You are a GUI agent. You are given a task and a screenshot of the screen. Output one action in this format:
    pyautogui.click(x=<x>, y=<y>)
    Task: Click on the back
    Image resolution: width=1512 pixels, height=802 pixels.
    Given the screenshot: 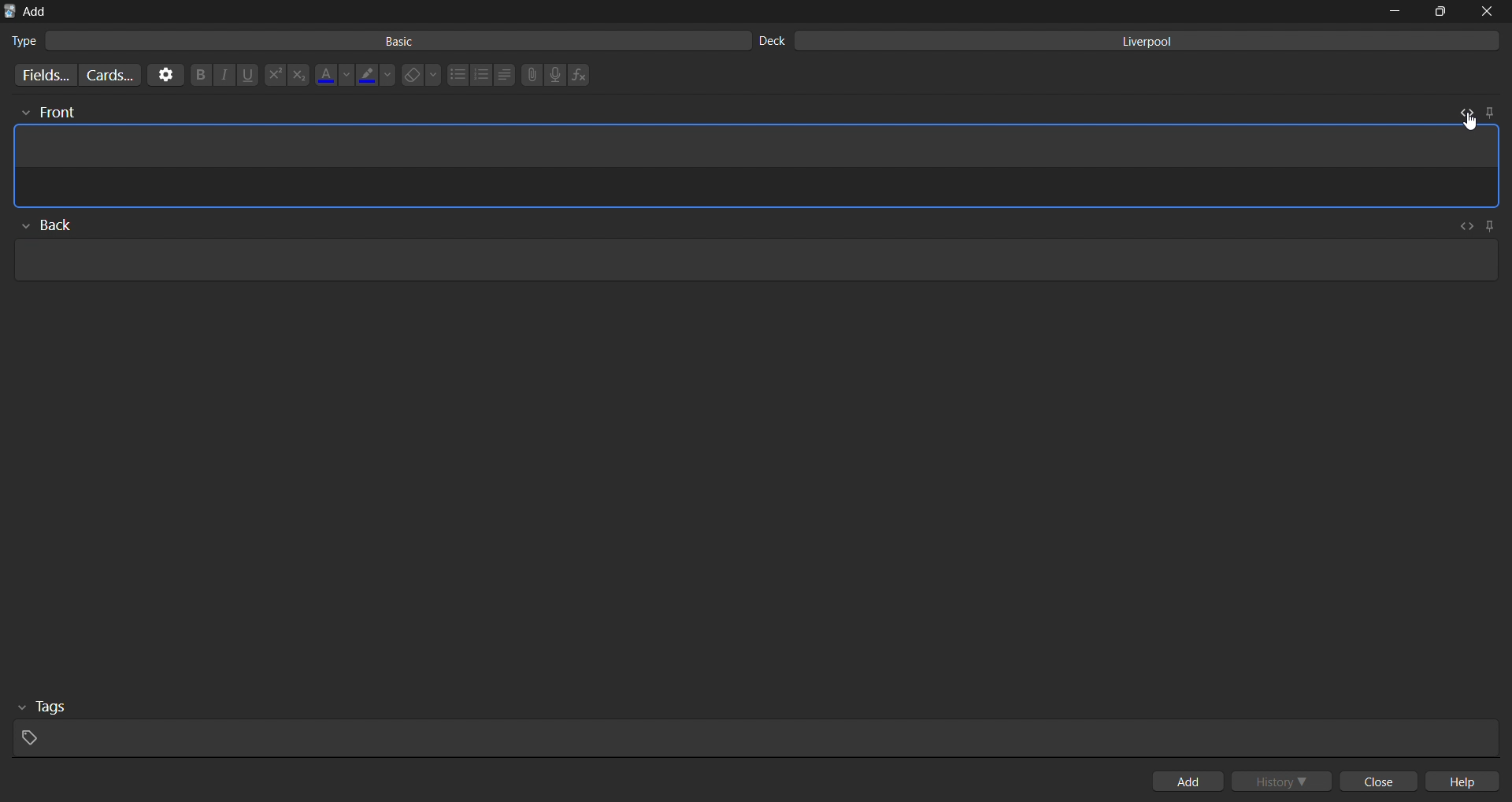 What is the action you would take?
    pyautogui.click(x=56, y=222)
    